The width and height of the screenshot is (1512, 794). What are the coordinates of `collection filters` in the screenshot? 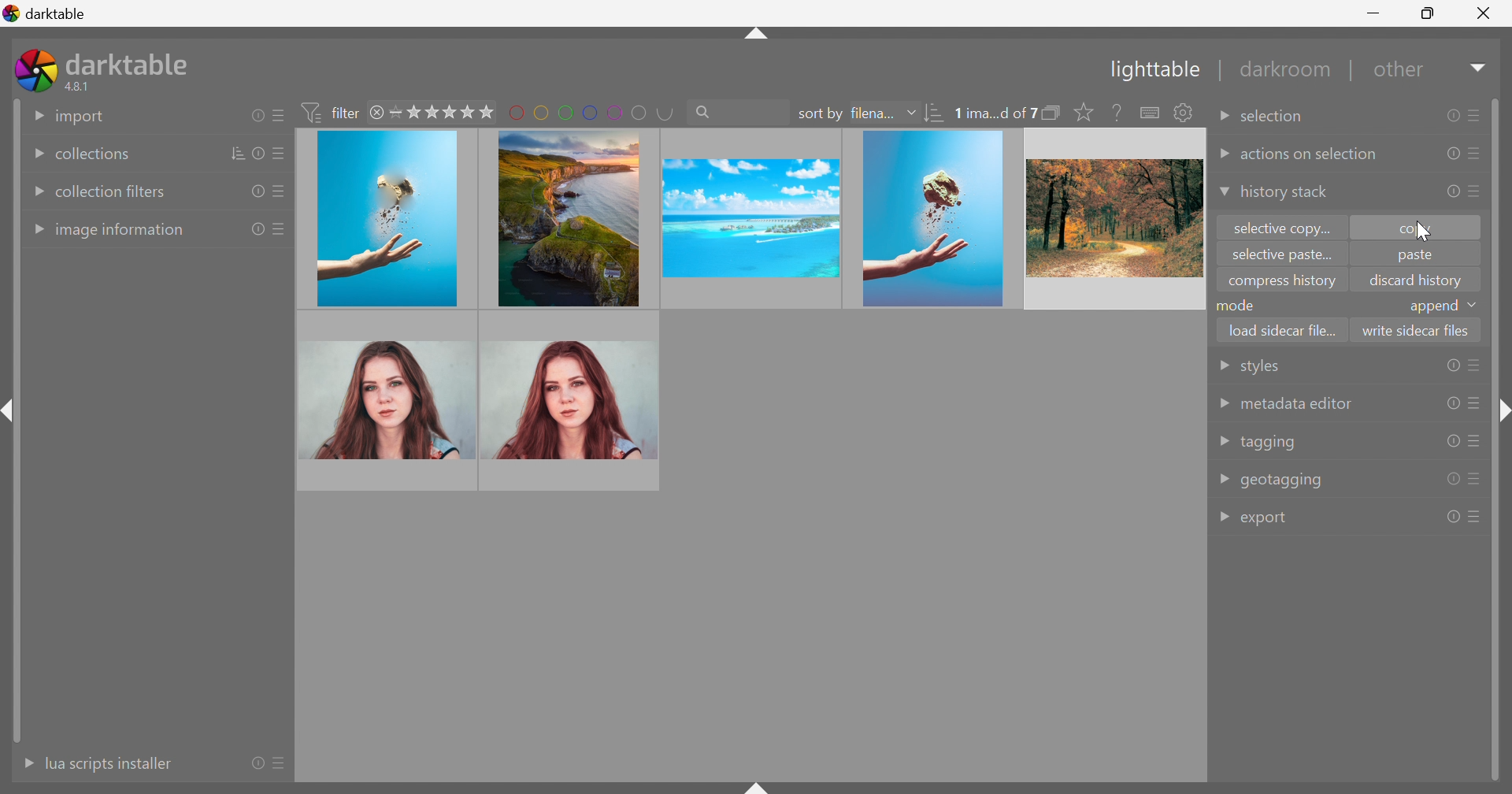 It's located at (112, 191).